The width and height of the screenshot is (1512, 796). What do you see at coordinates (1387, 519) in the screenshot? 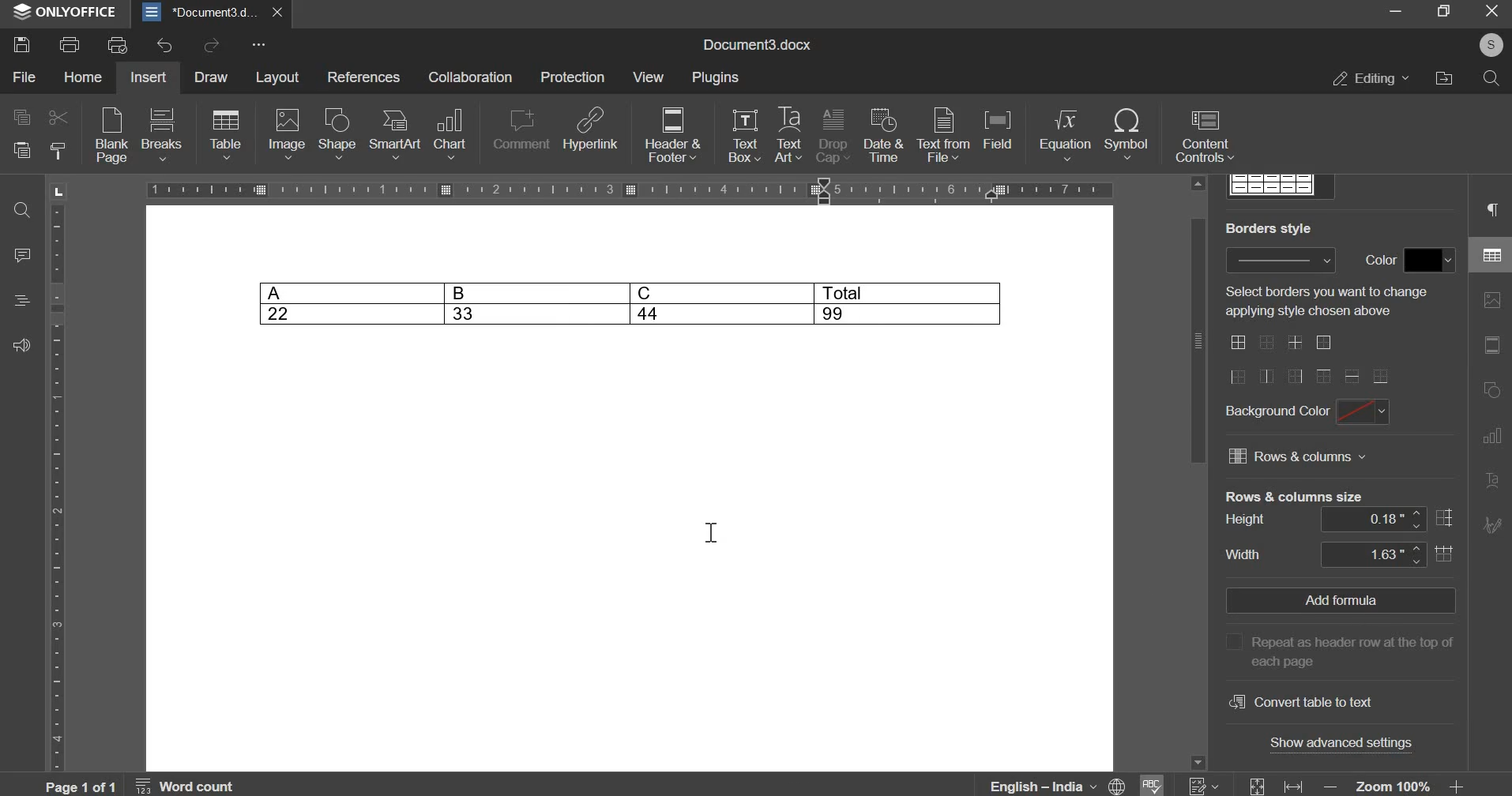
I see `height` at bounding box center [1387, 519].